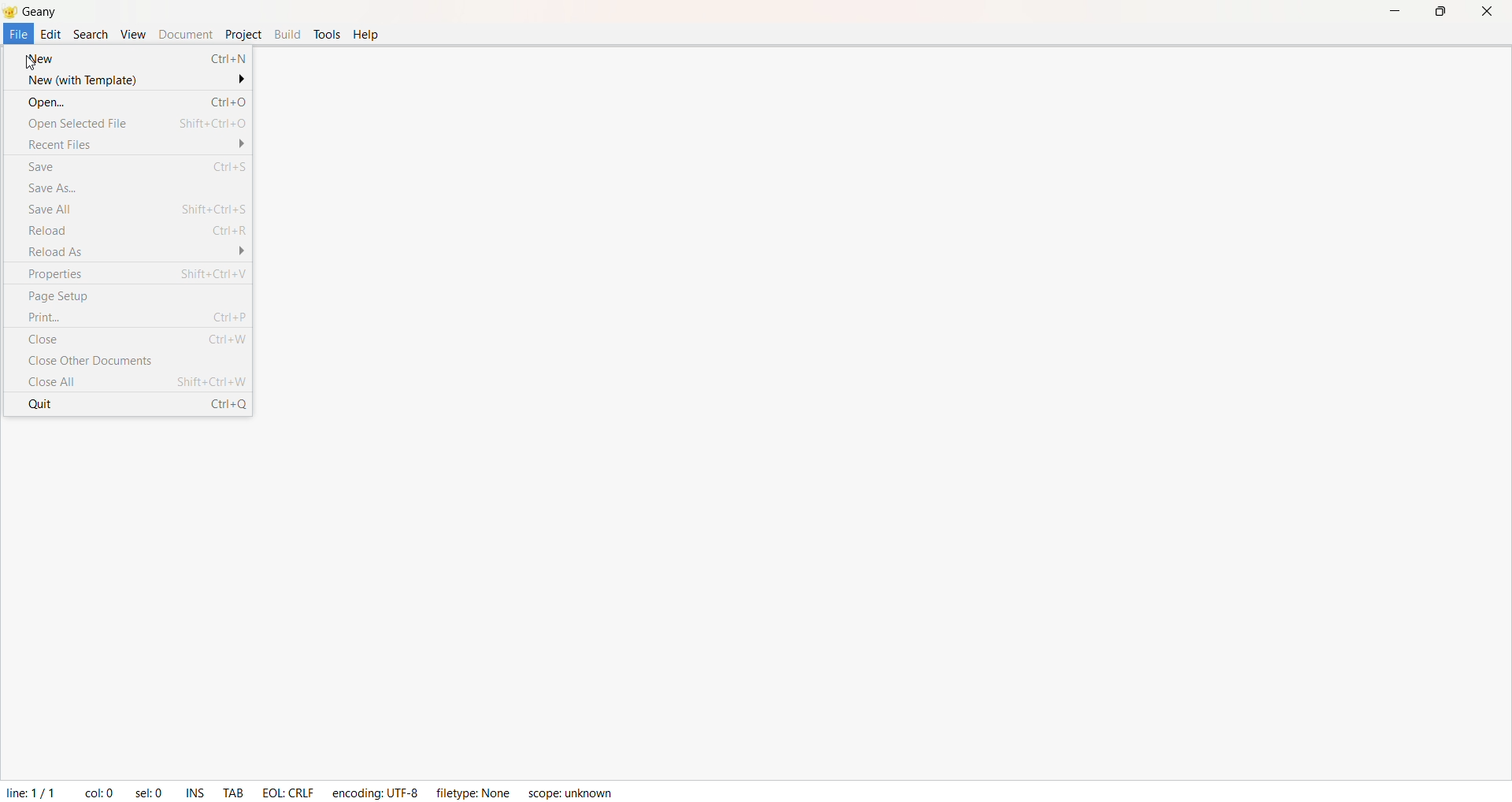  What do you see at coordinates (139, 403) in the screenshot?
I see `Quit` at bounding box center [139, 403].